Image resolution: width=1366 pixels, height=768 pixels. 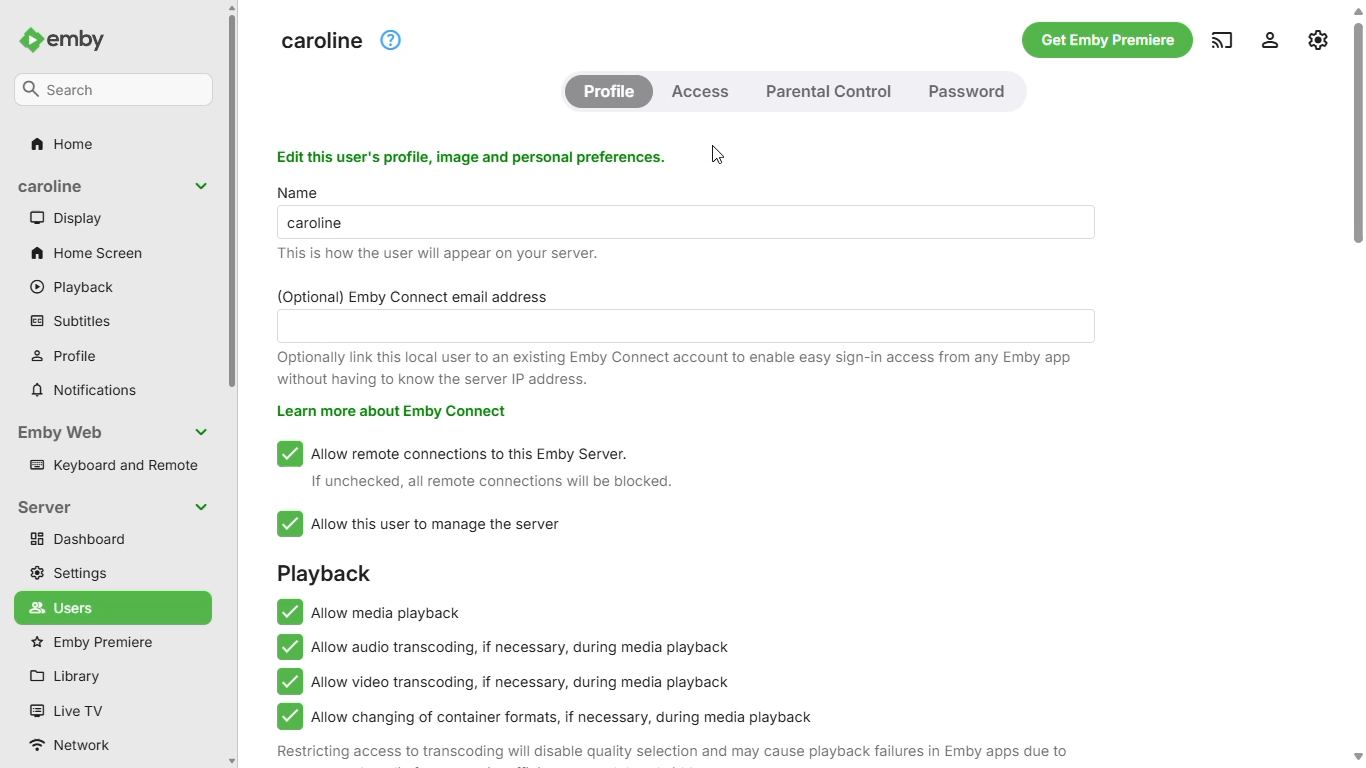 I want to click on allow remote connections to this emby server., so click(x=450, y=452).